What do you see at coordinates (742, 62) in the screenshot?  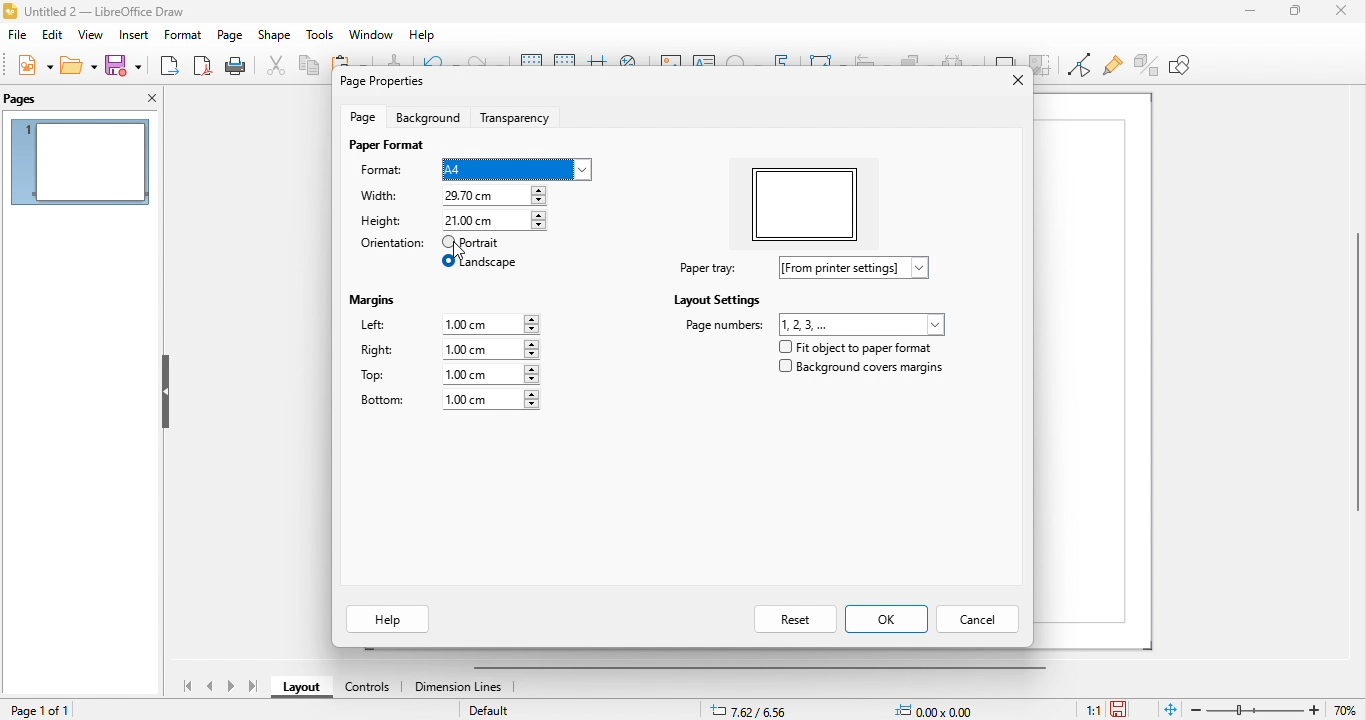 I see `special characters` at bounding box center [742, 62].